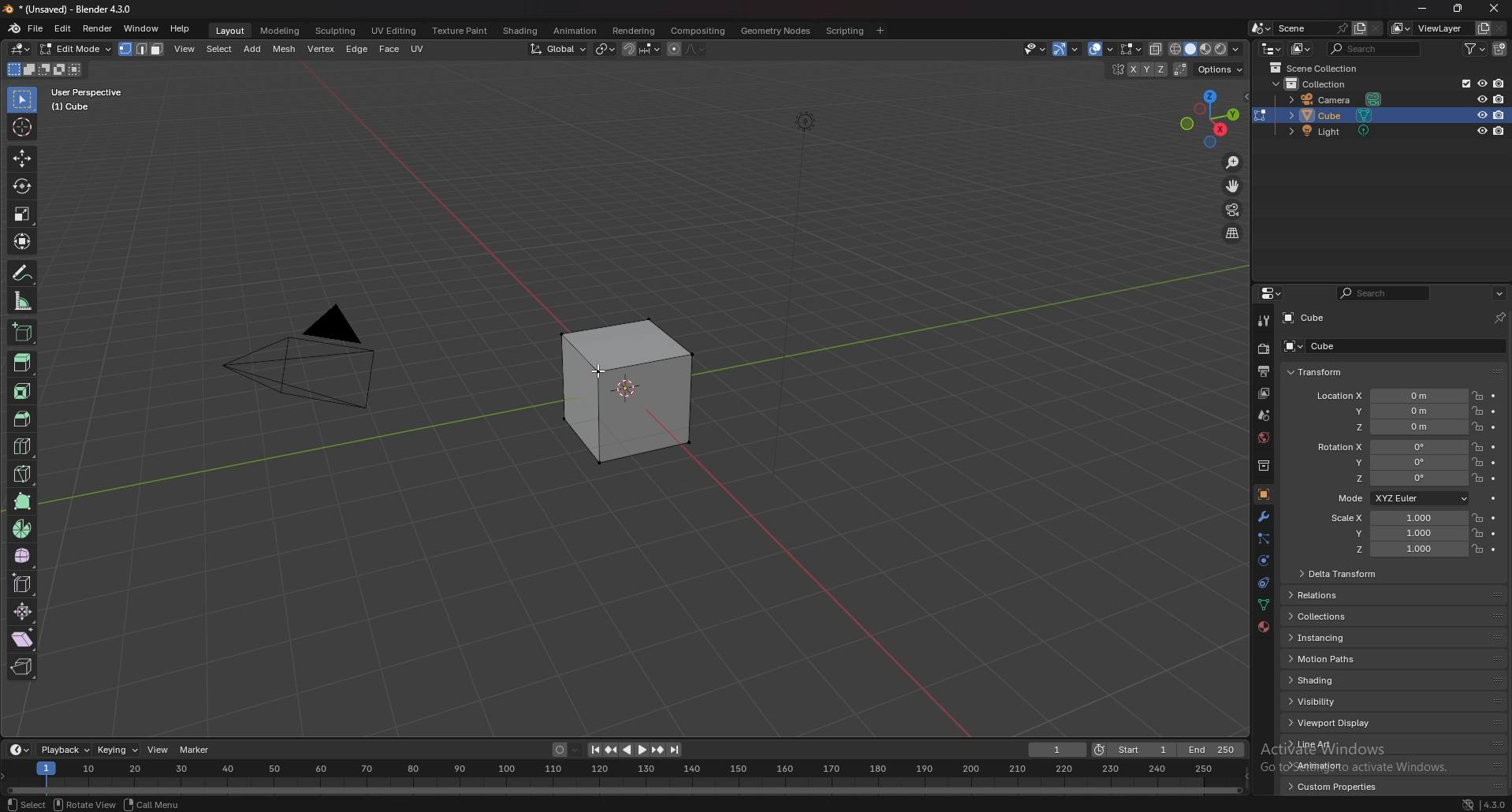 The height and width of the screenshot is (812, 1512). I want to click on custom properties, so click(1339, 787).